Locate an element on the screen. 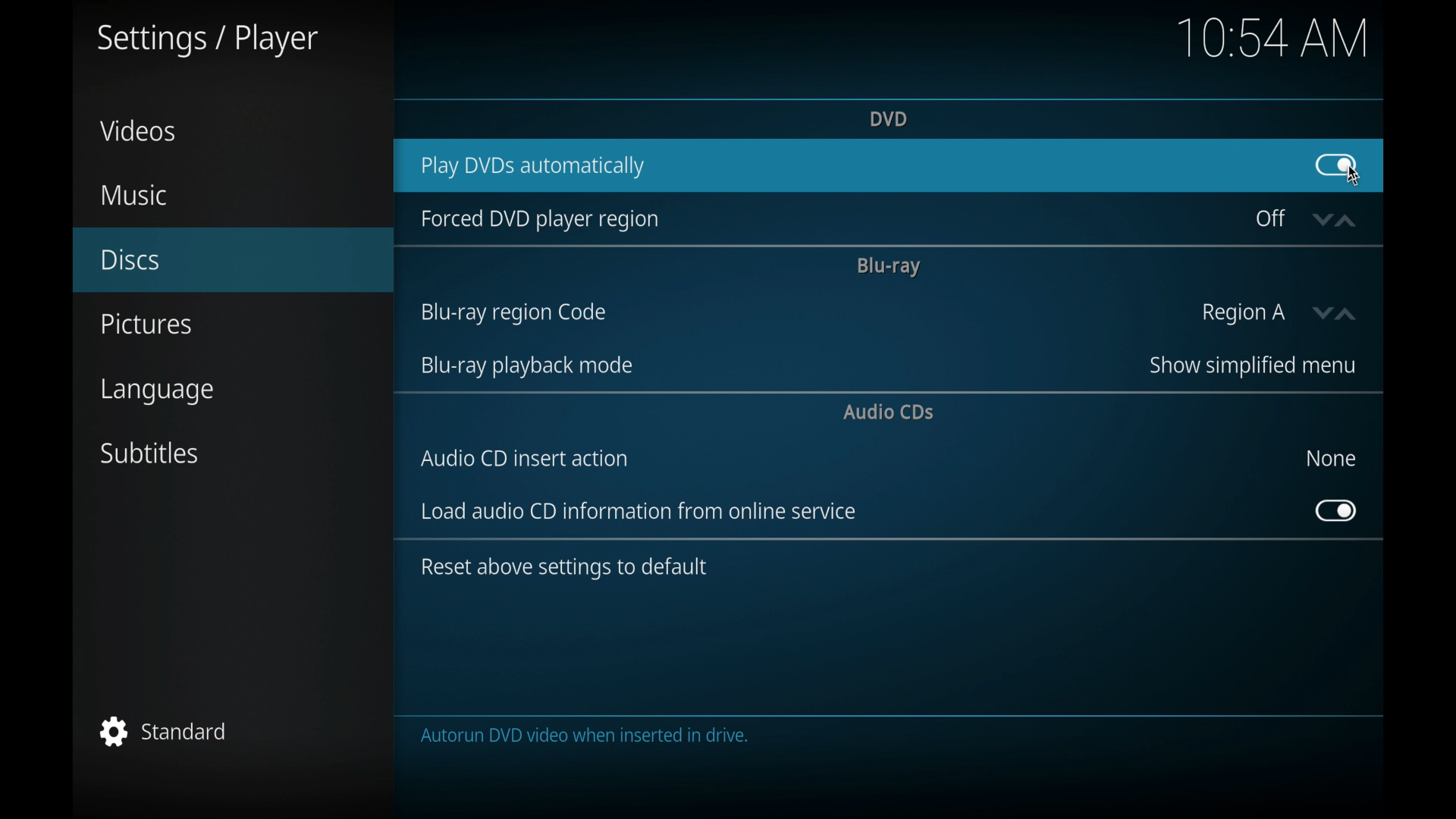 This screenshot has height=819, width=1456. load audio cd info from online services is located at coordinates (639, 511).